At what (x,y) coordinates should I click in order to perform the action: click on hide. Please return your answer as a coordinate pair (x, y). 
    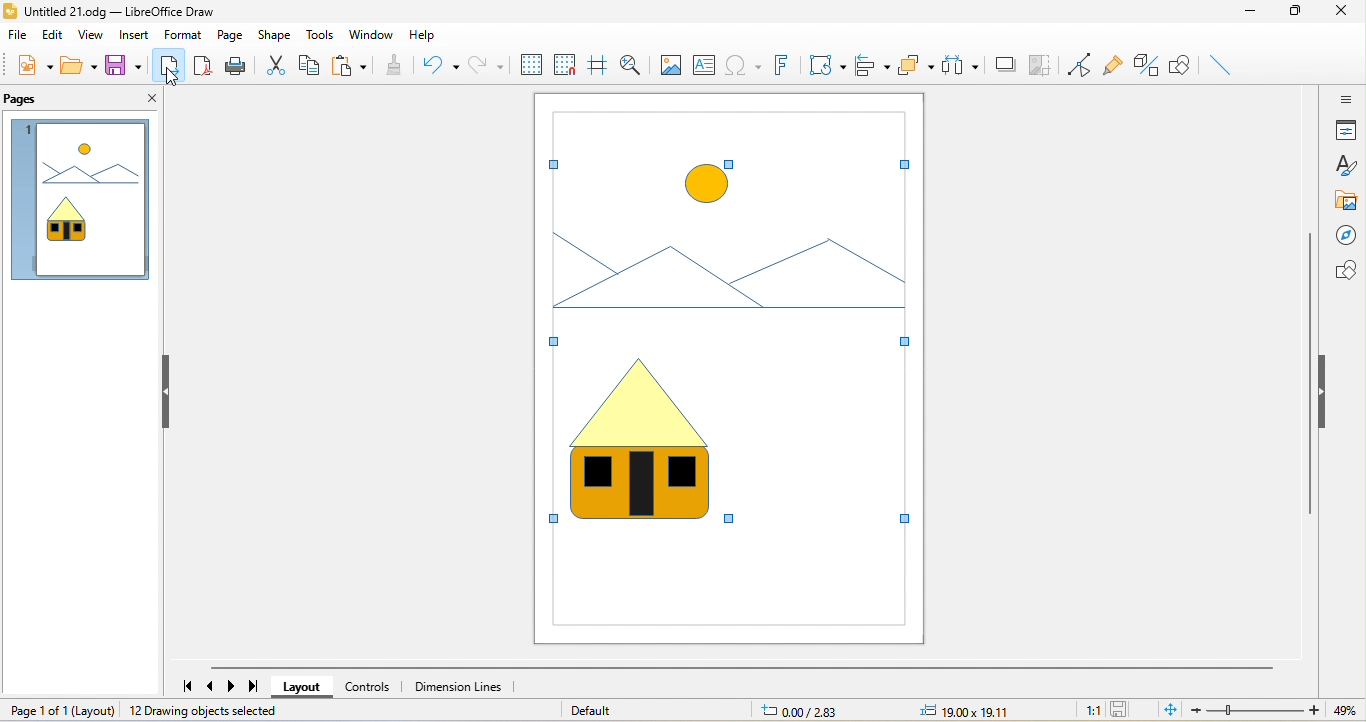
    Looking at the image, I should click on (161, 391).